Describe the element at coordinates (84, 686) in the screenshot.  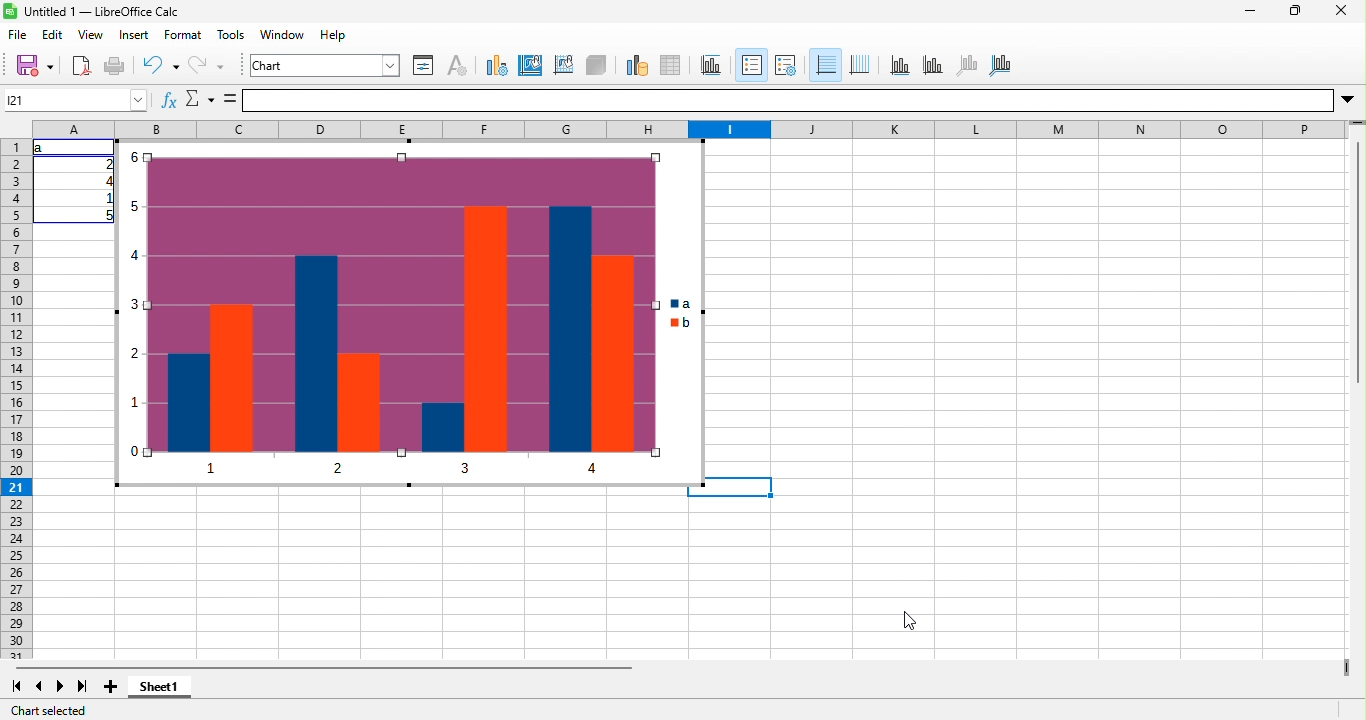
I see `last sheet` at that location.